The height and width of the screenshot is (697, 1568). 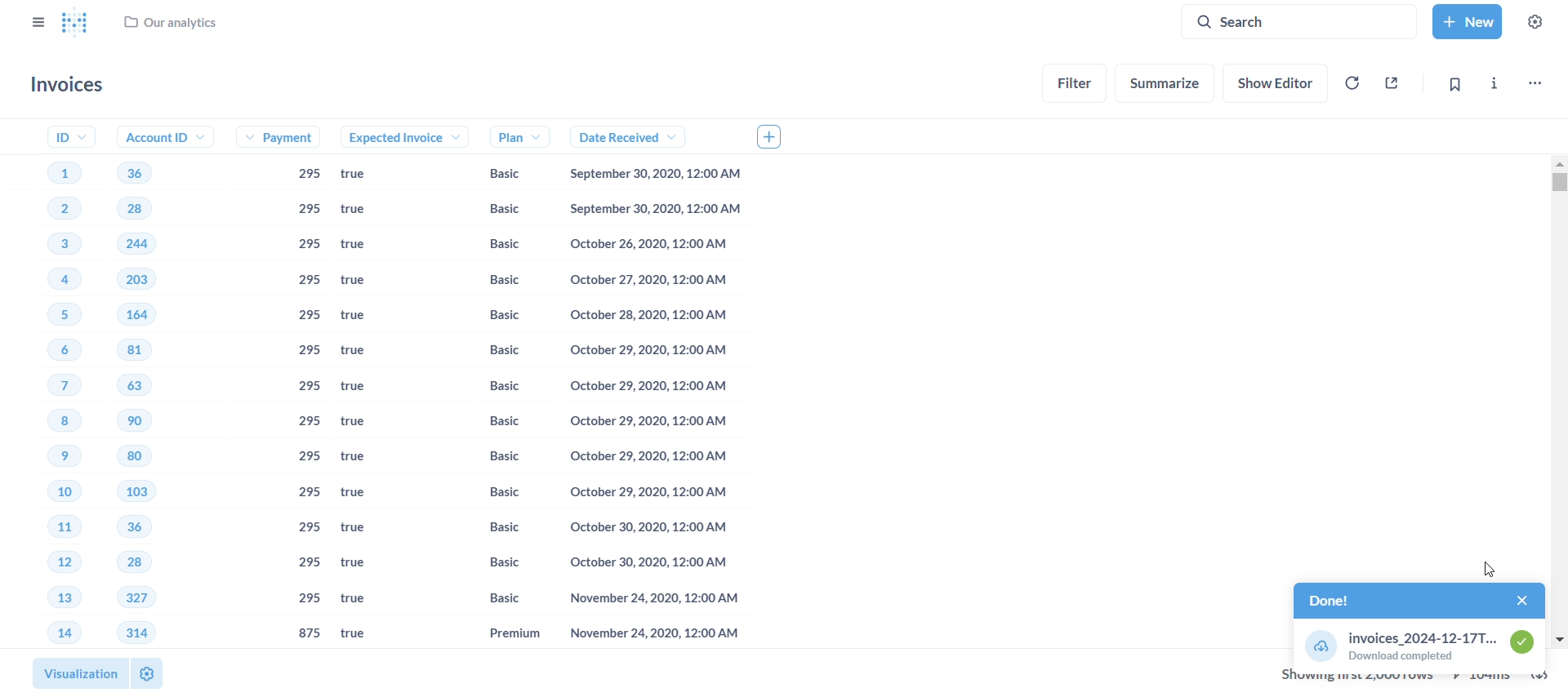 I want to click on payment, so click(x=285, y=139).